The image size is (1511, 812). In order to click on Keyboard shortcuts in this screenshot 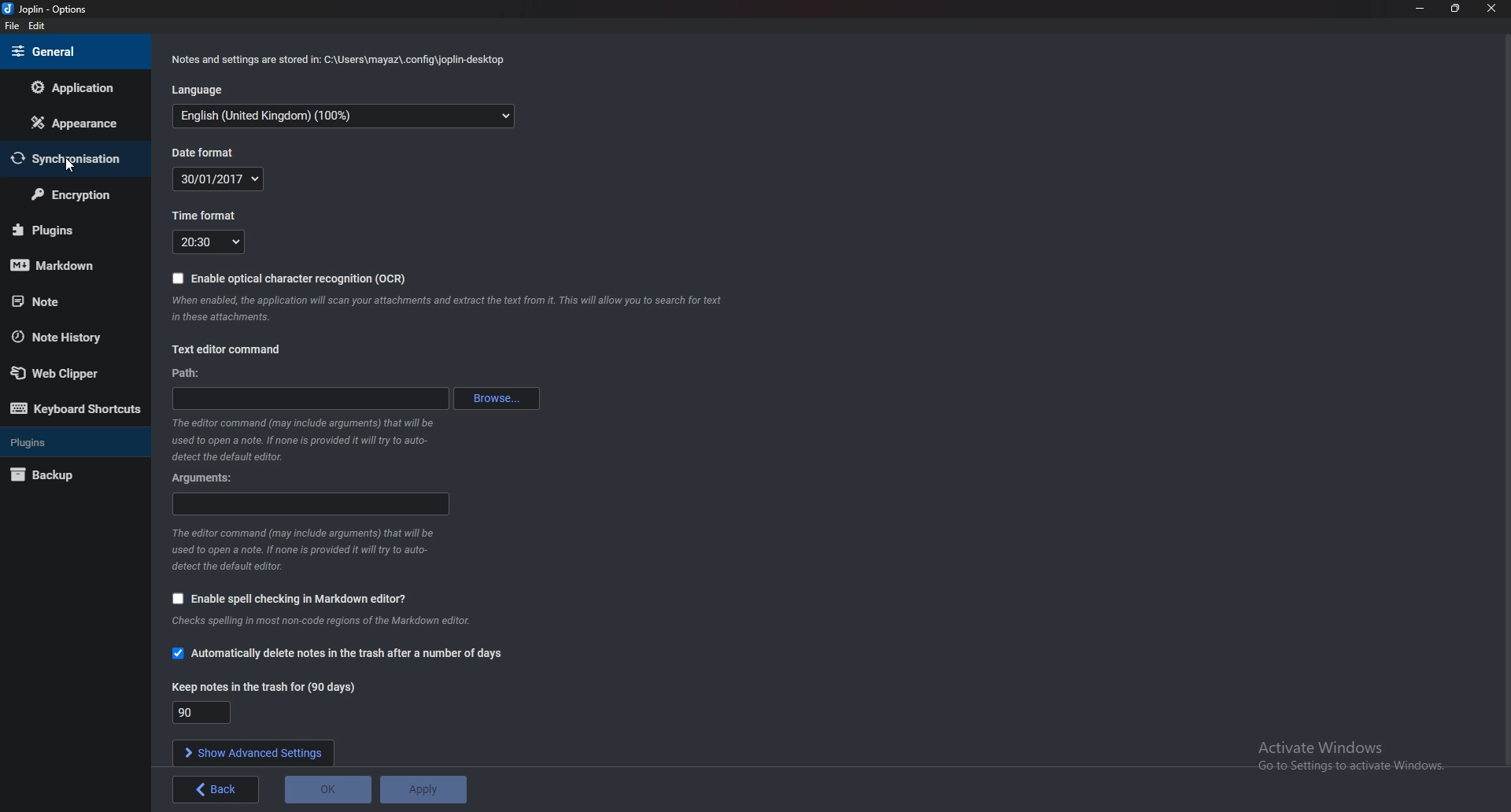, I will do `click(78, 408)`.